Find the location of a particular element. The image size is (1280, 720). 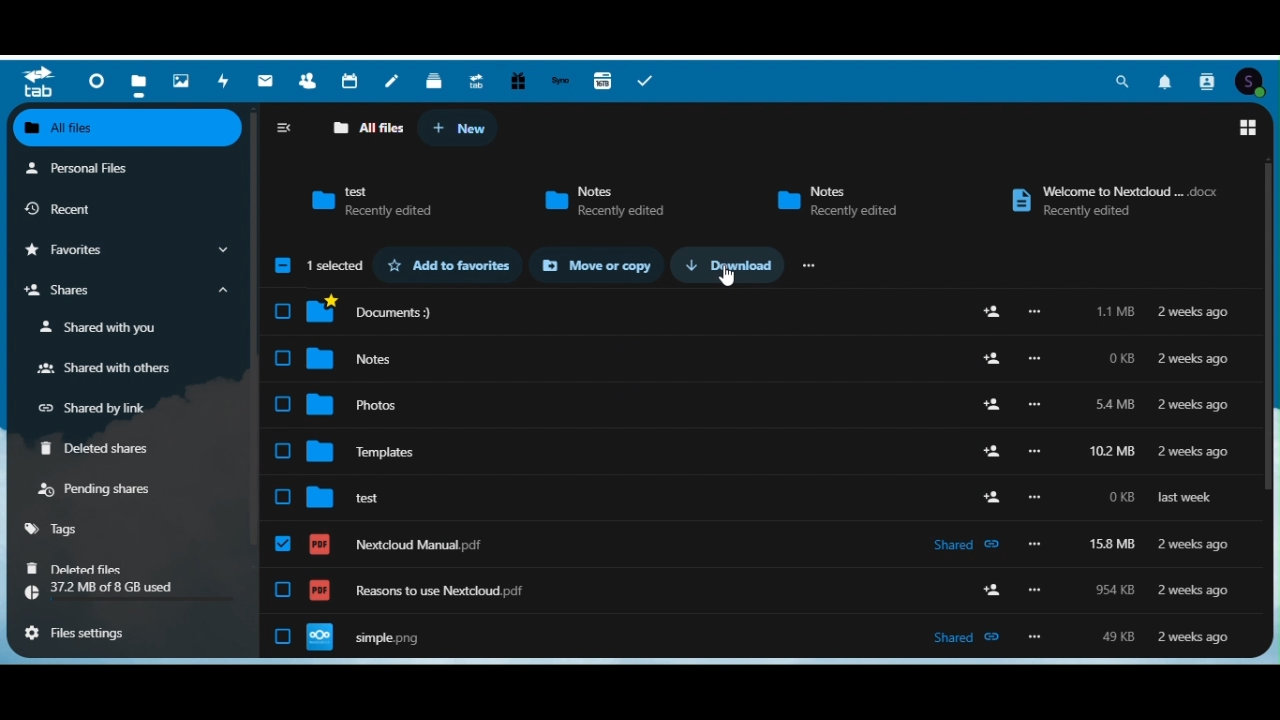

templates is located at coordinates (761, 456).